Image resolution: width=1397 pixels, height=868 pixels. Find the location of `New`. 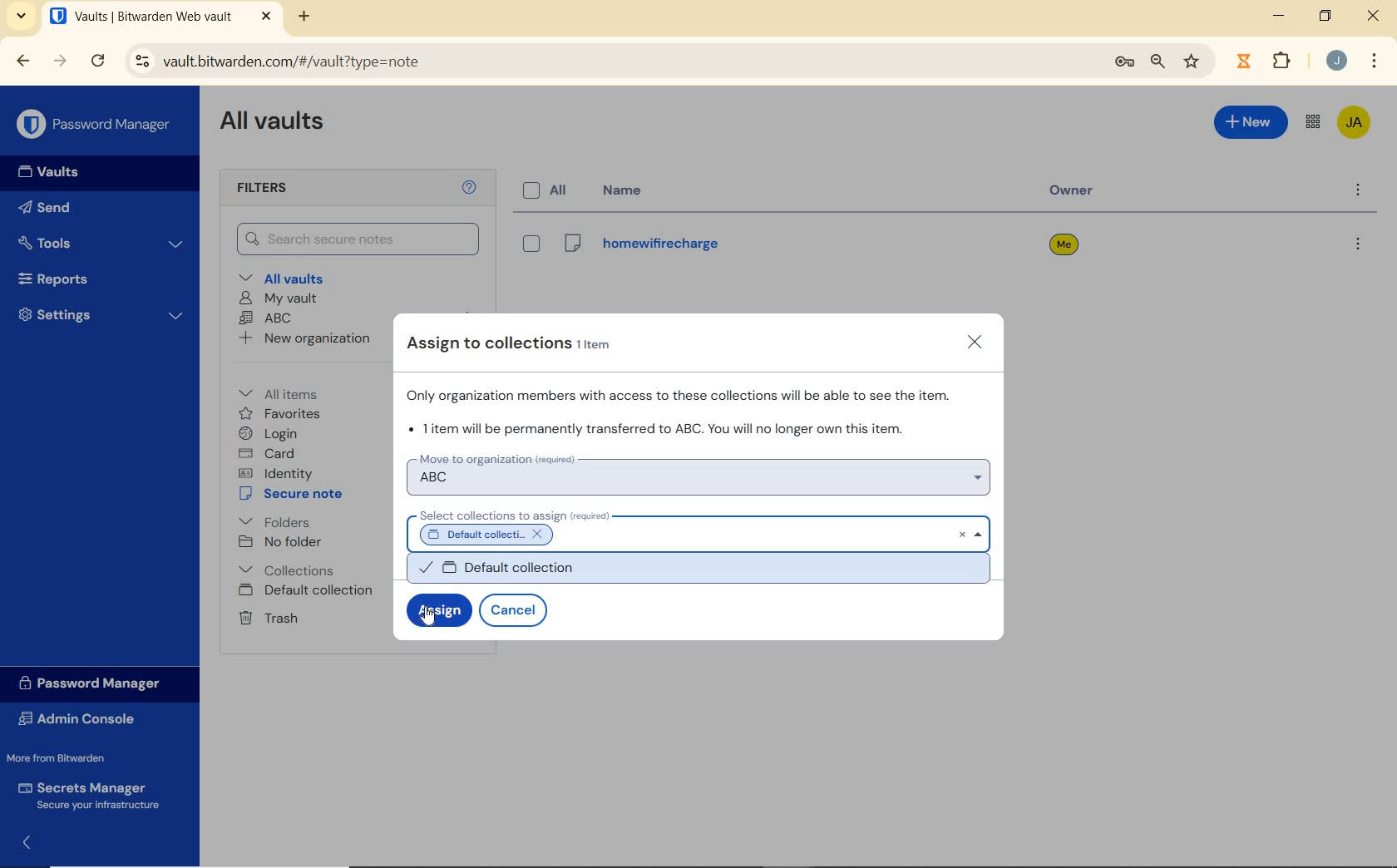

New is located at coordinates (1251, 126).